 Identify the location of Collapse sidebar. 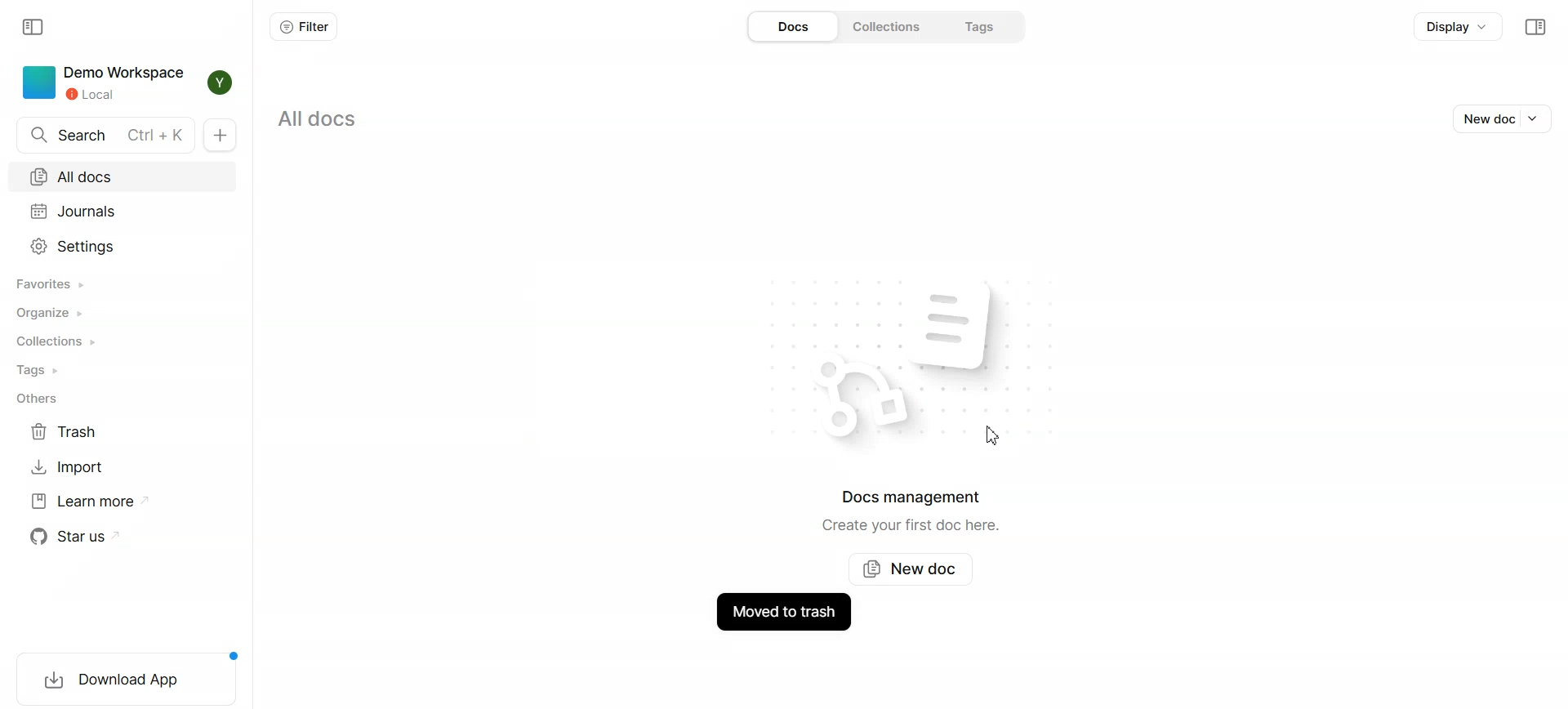
(1537, 27).